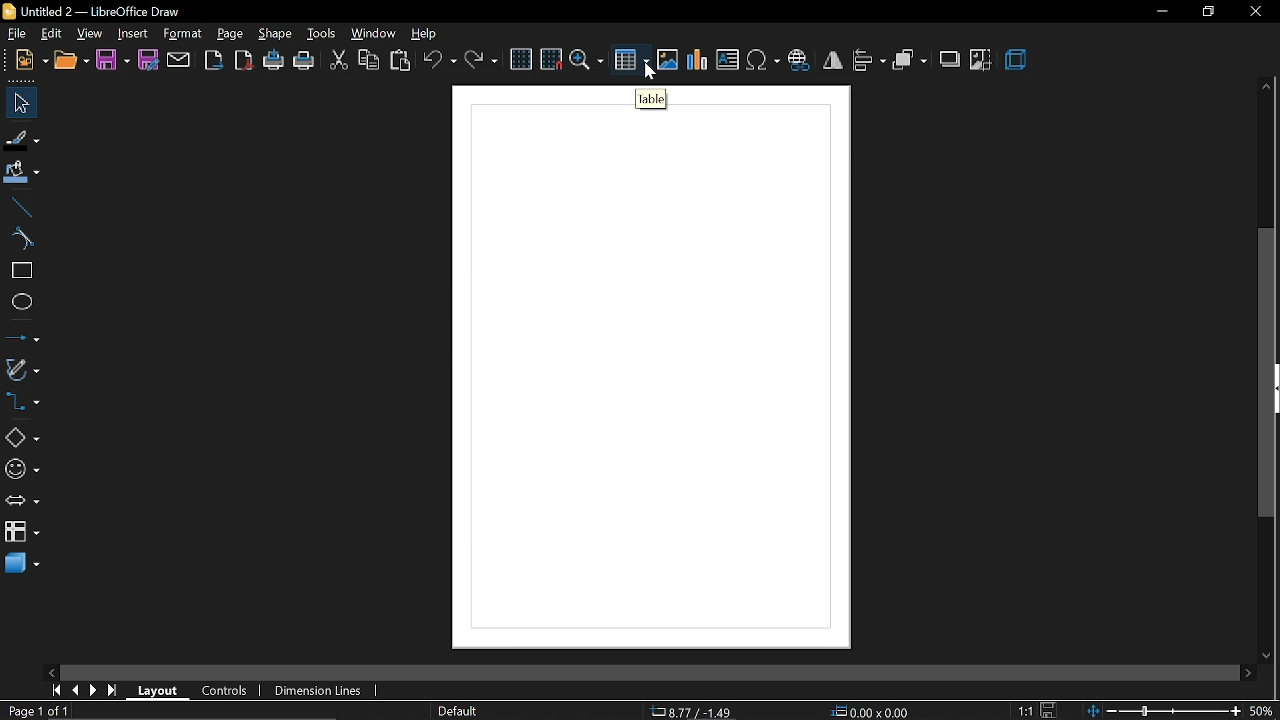  Describe the element at coordinates (226, 690) in the screenshot. I see `controls` at that location.